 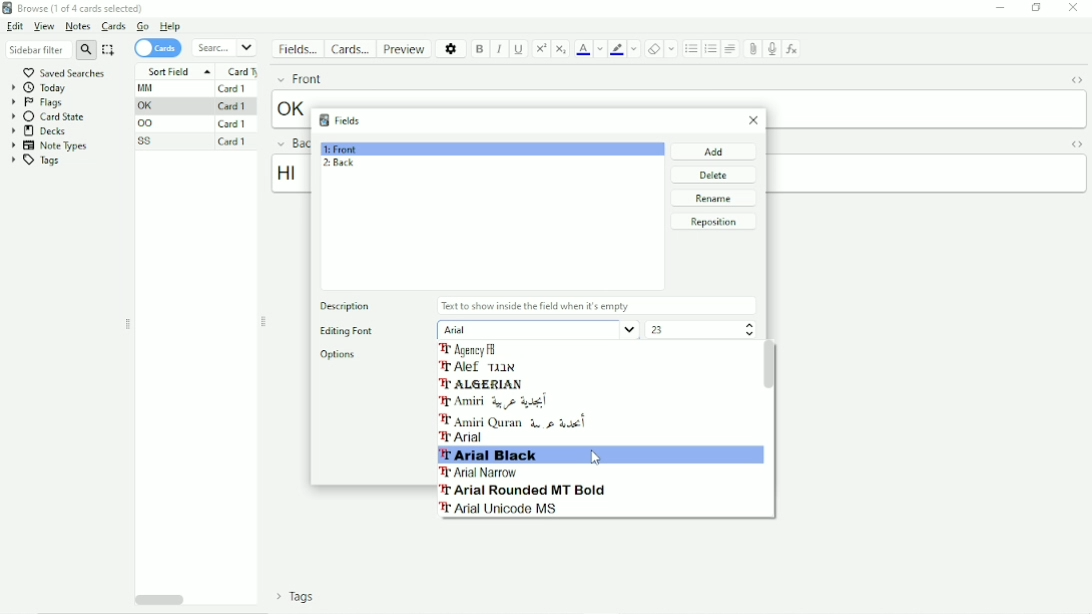 What do you see at coordinates (147, 141) in the screenshot?
I see `SS` at bounding box center [147, 141].